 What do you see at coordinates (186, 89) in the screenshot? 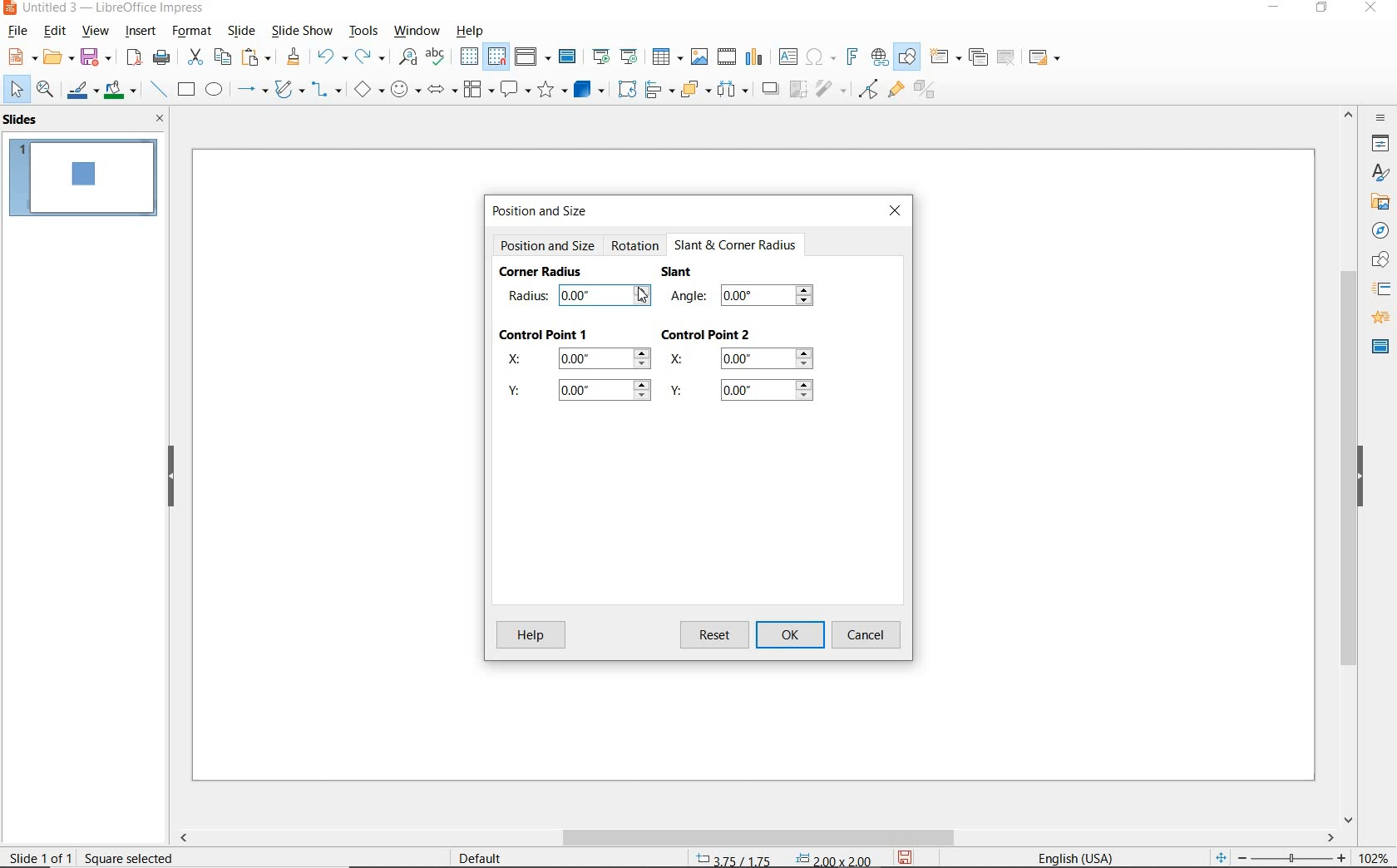
I see `rectangle` at bounding box center [186, 89].